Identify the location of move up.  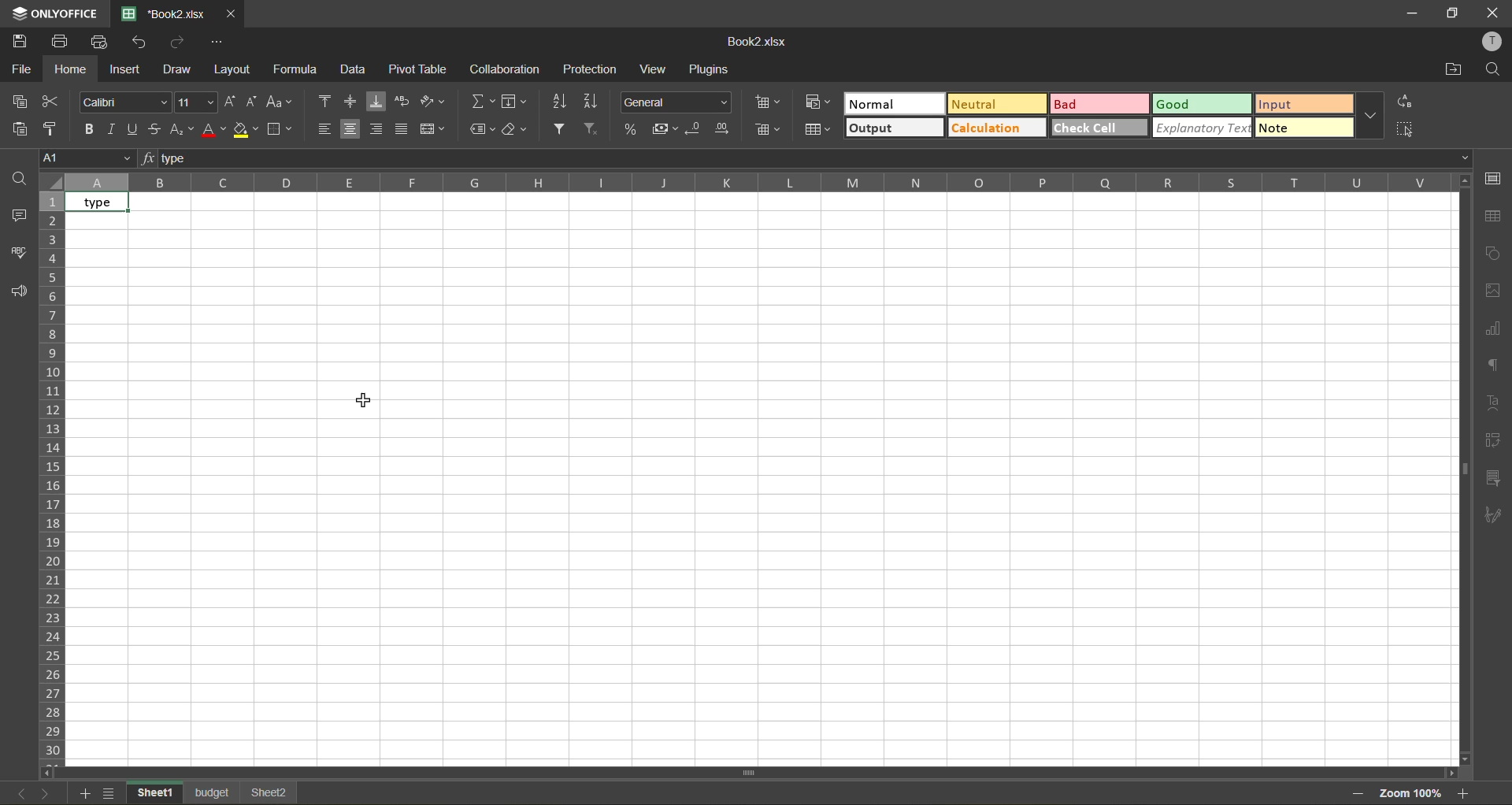
(1464, 185).